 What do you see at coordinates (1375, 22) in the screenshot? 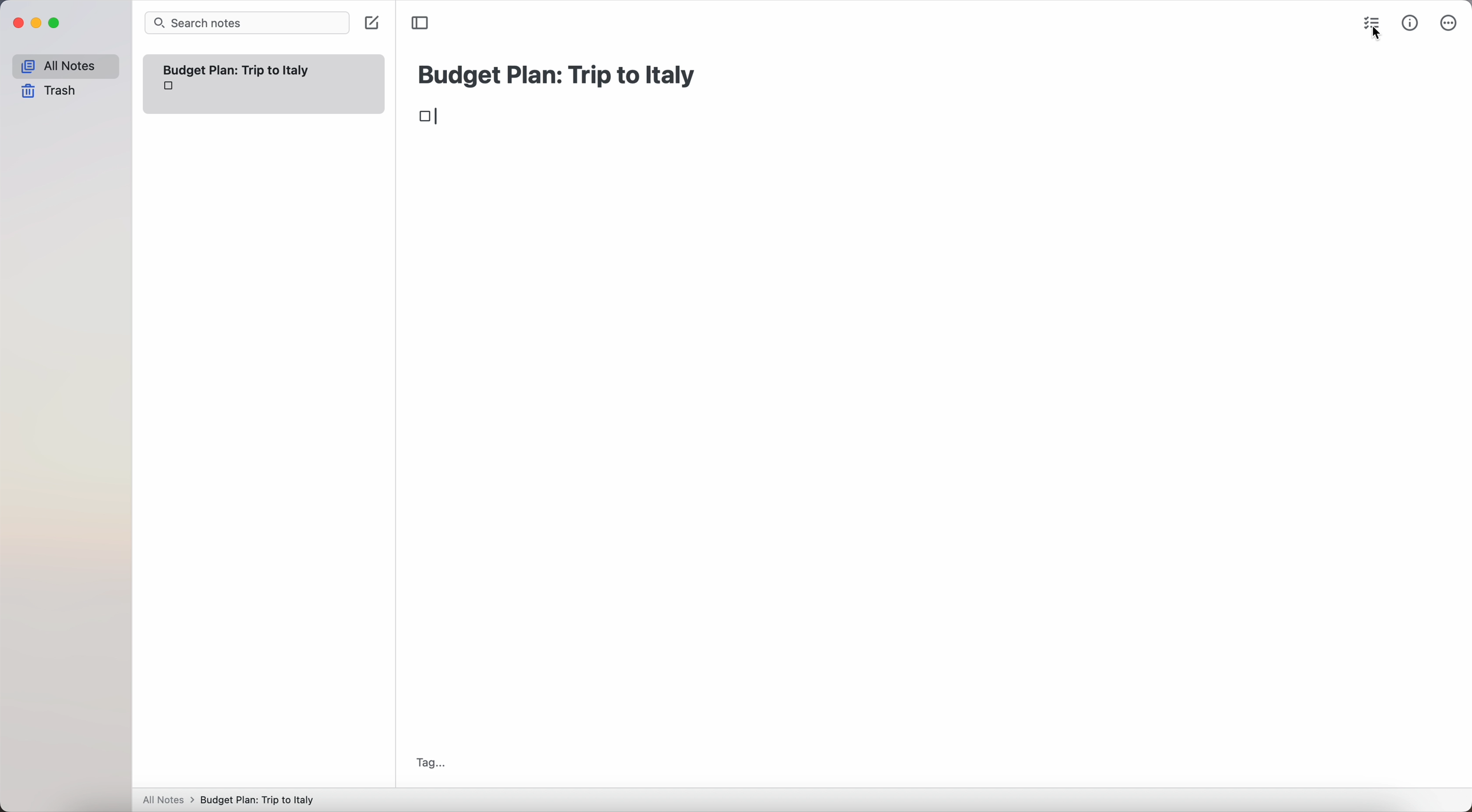
I see `check list` at bounding box center [1375, 22].